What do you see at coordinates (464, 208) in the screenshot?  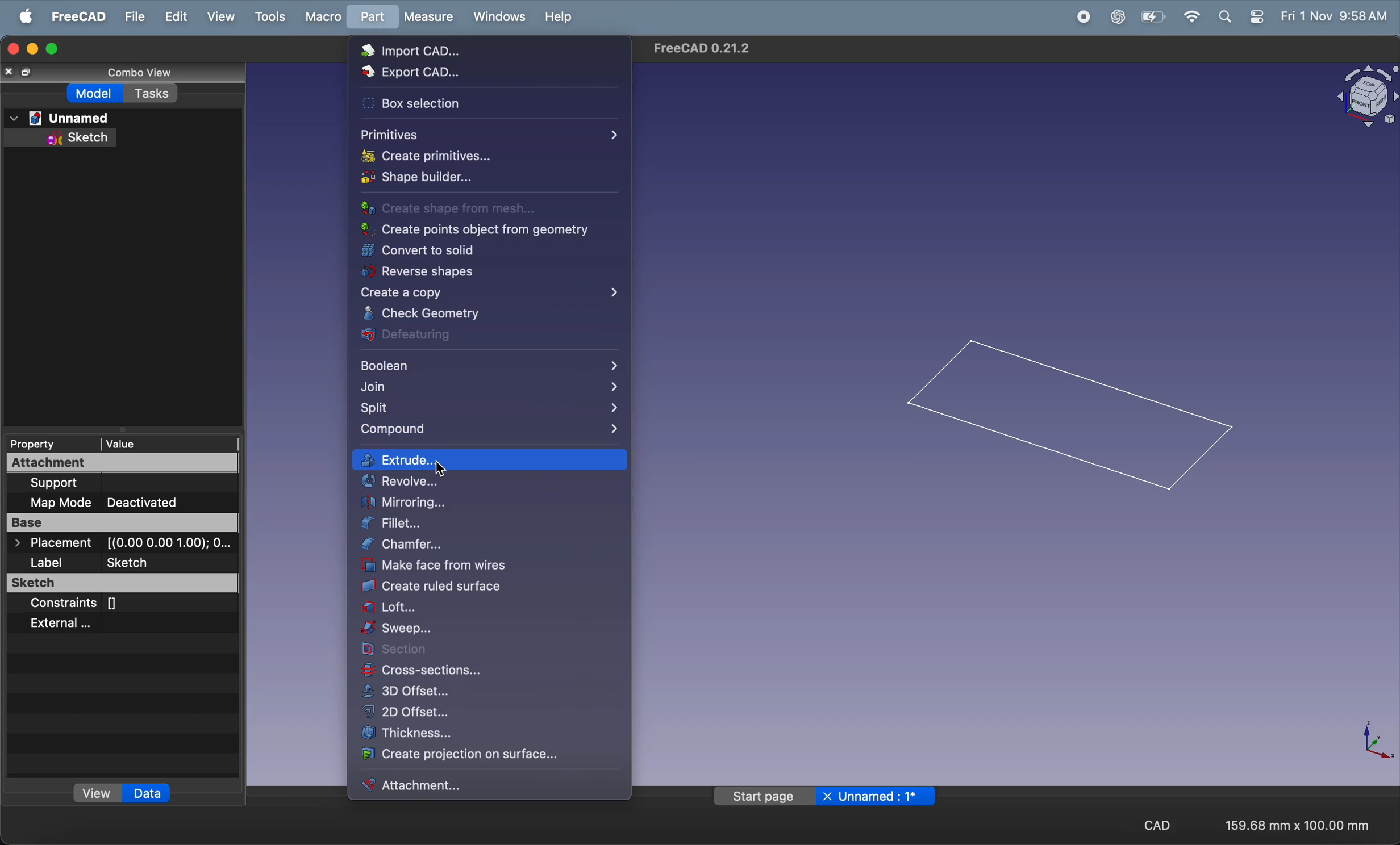 I see `create from mesh` at bounding box center [464, 208].